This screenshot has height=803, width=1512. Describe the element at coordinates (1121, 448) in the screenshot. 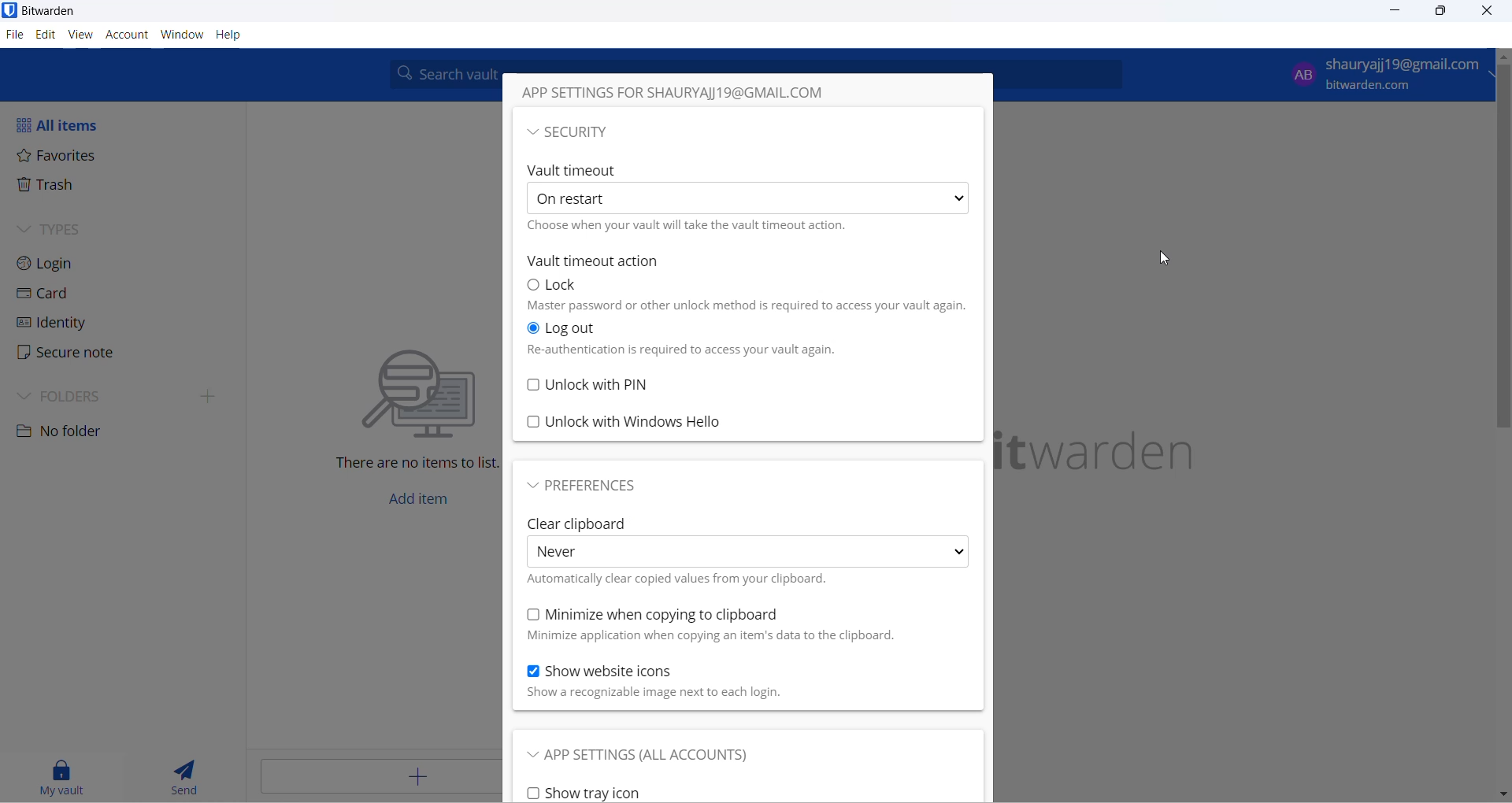

I see `name and logo` at that location.